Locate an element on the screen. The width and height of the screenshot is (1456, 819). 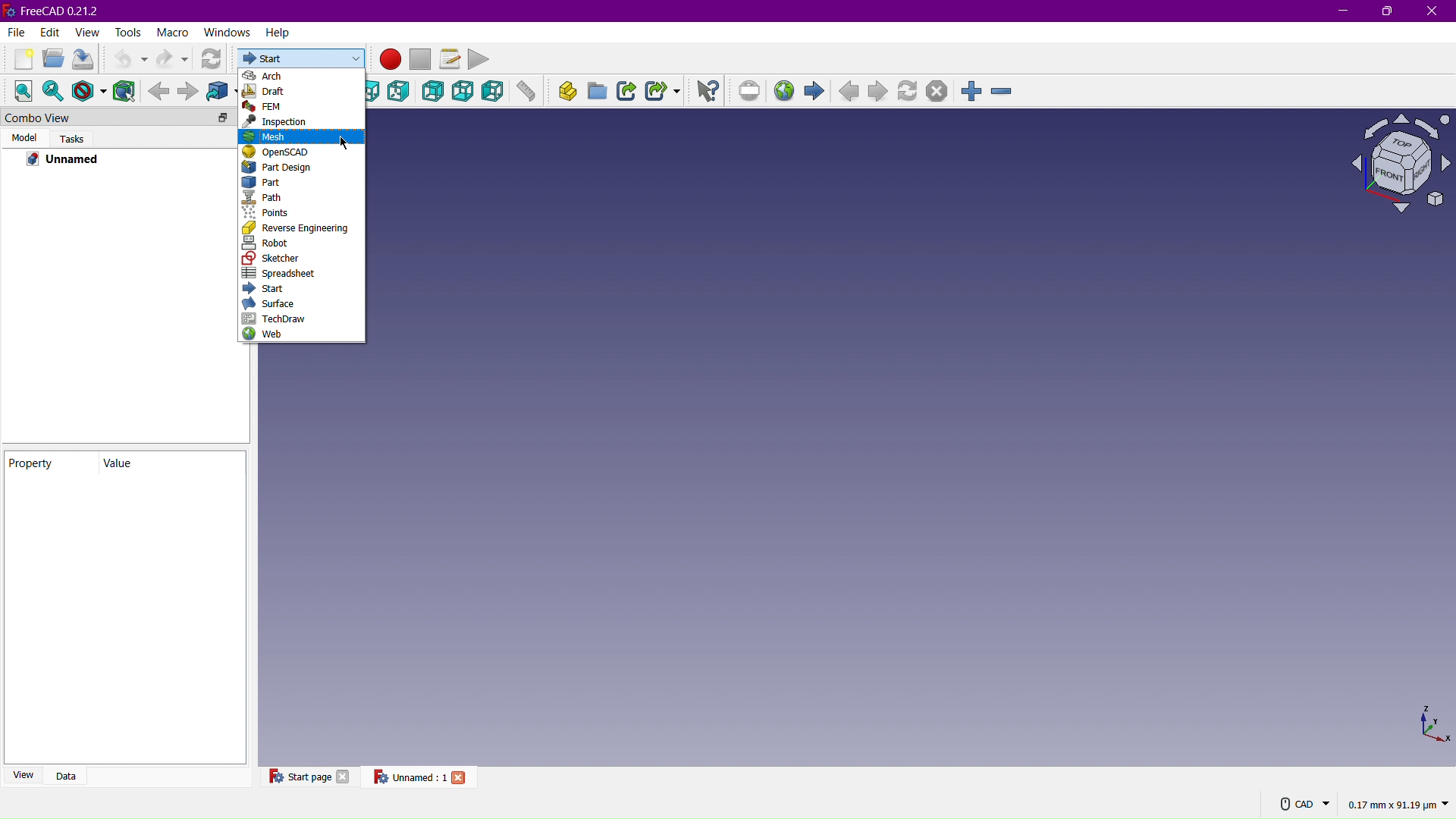
Right is located at coordinates (402, 93).